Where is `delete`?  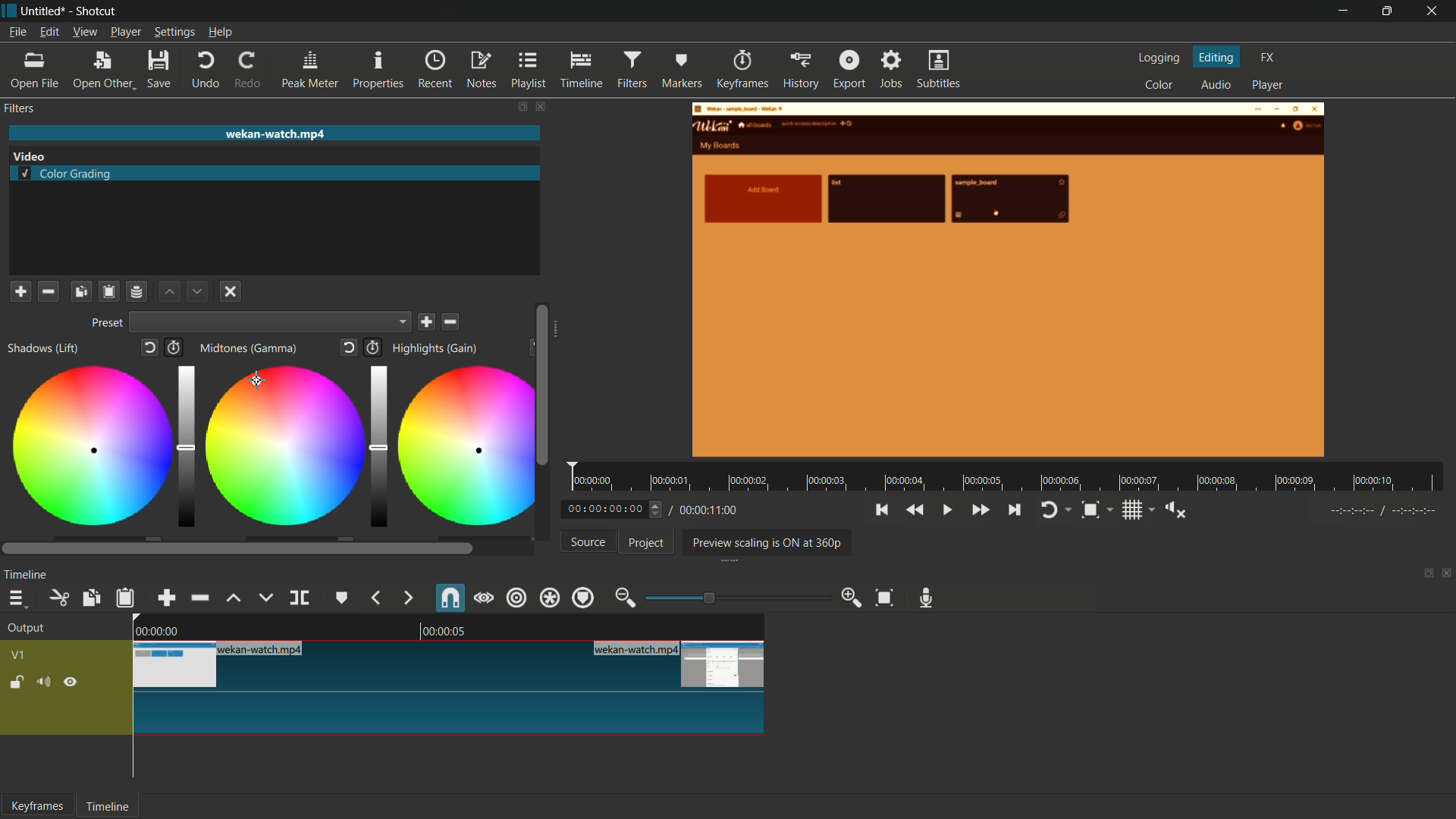 delete is located at coordinates (452, 322).